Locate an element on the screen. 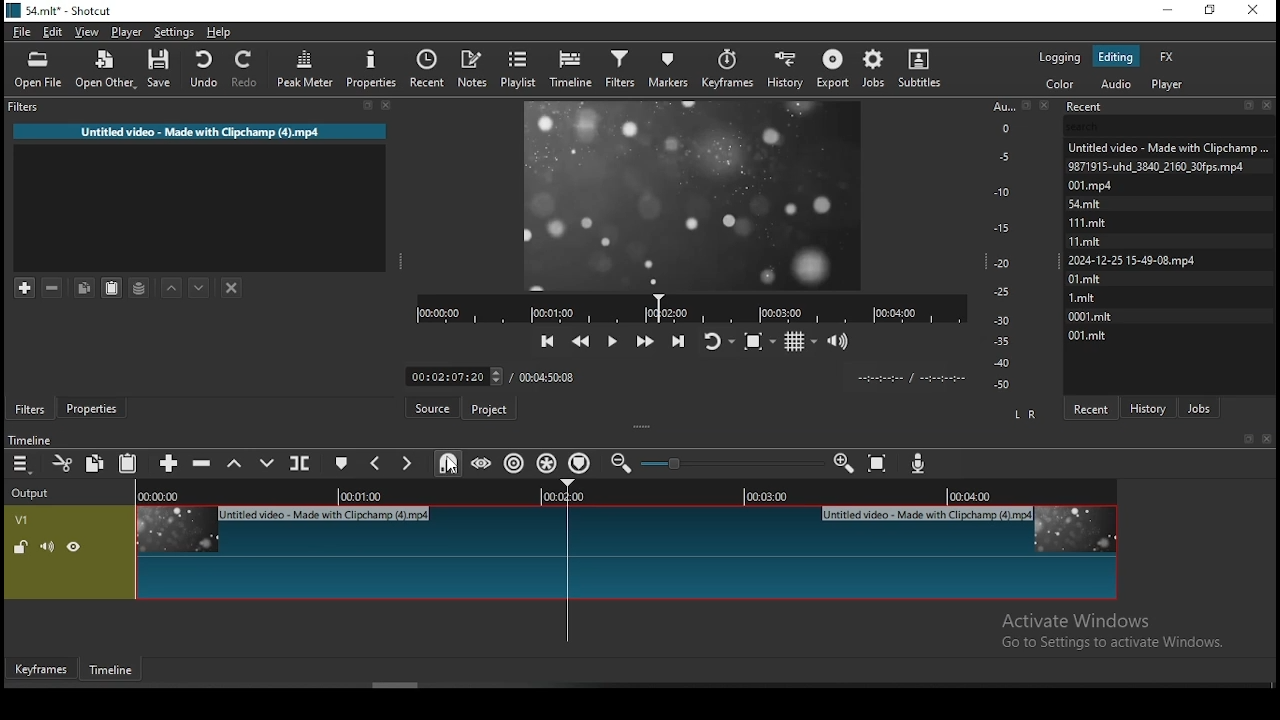  video preview is located at coordinates (695, 194).